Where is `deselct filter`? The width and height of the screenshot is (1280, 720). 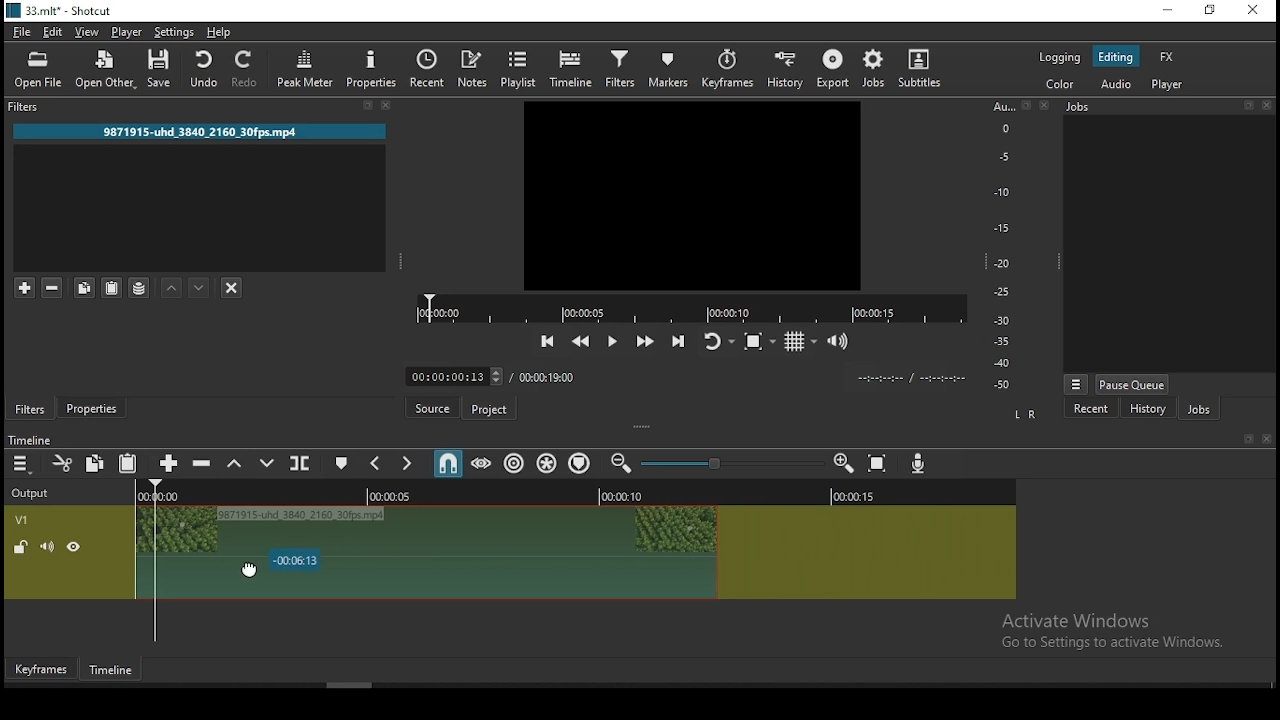 deselct filter is located at coordinates (233, 289).